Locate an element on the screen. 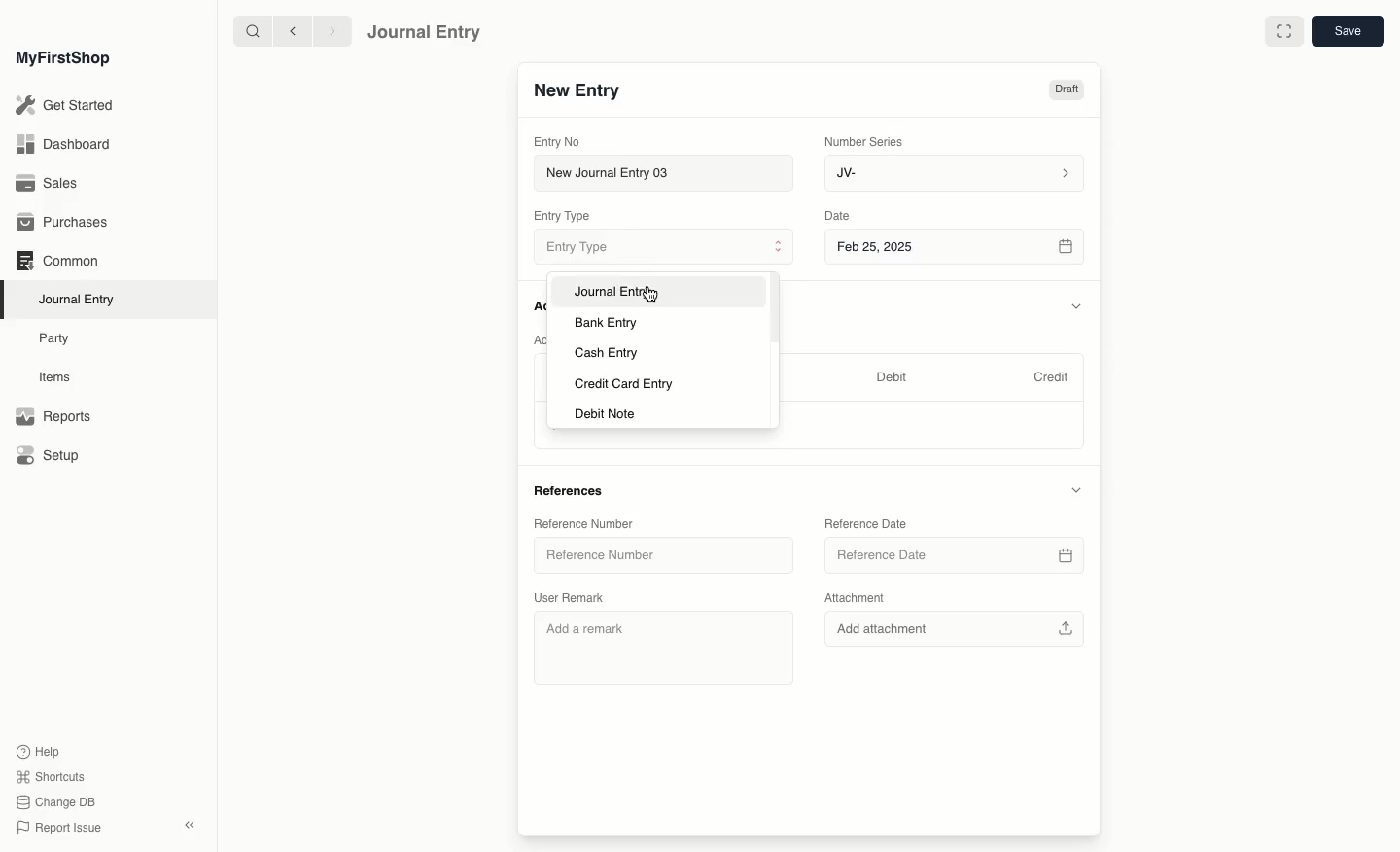  Feb 25, 2025 8 is located at coordinates (956, 246).